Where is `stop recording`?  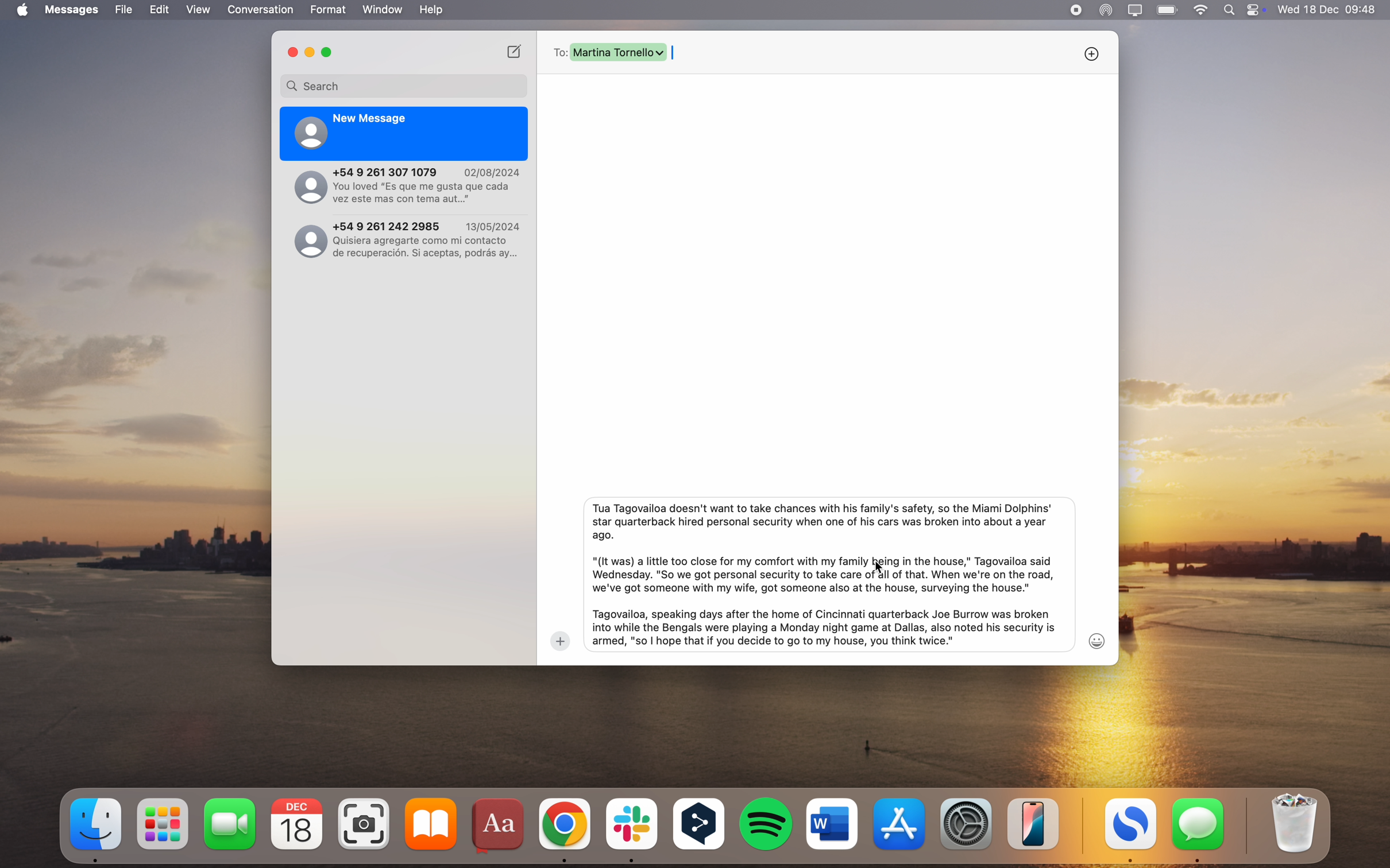
stop recording is located at coordinates (1075, 10).